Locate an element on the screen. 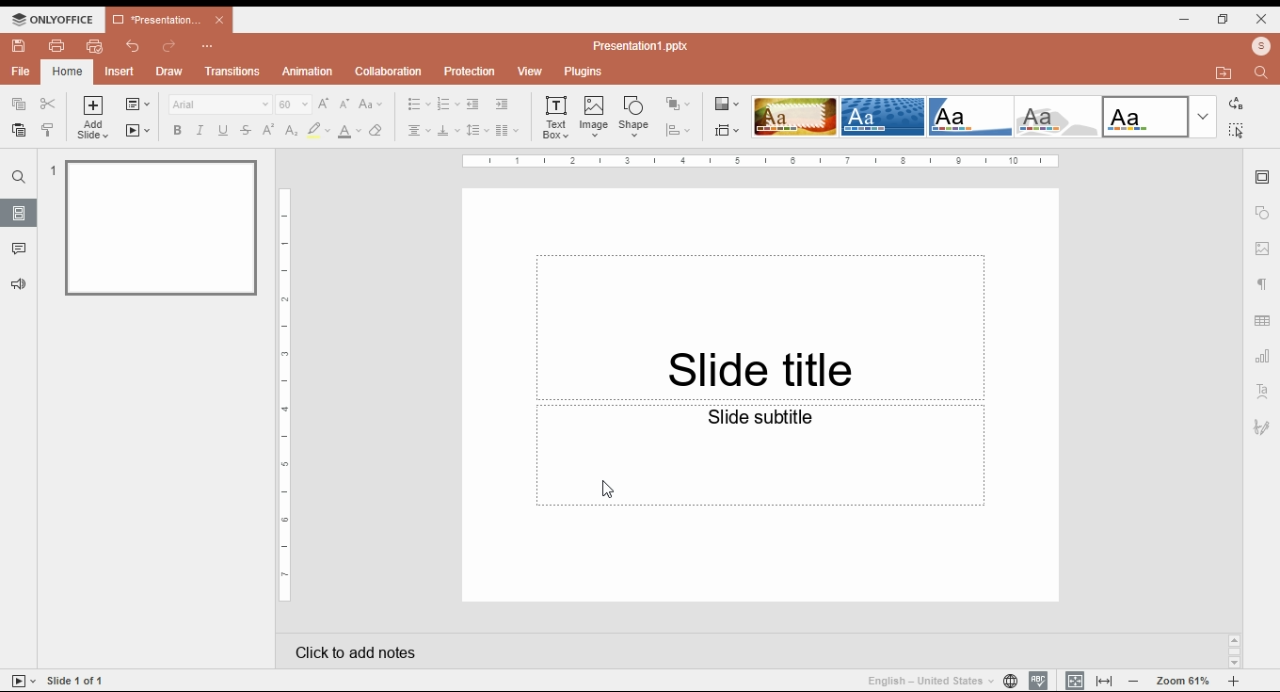  file is located at coordinates (21, 71).